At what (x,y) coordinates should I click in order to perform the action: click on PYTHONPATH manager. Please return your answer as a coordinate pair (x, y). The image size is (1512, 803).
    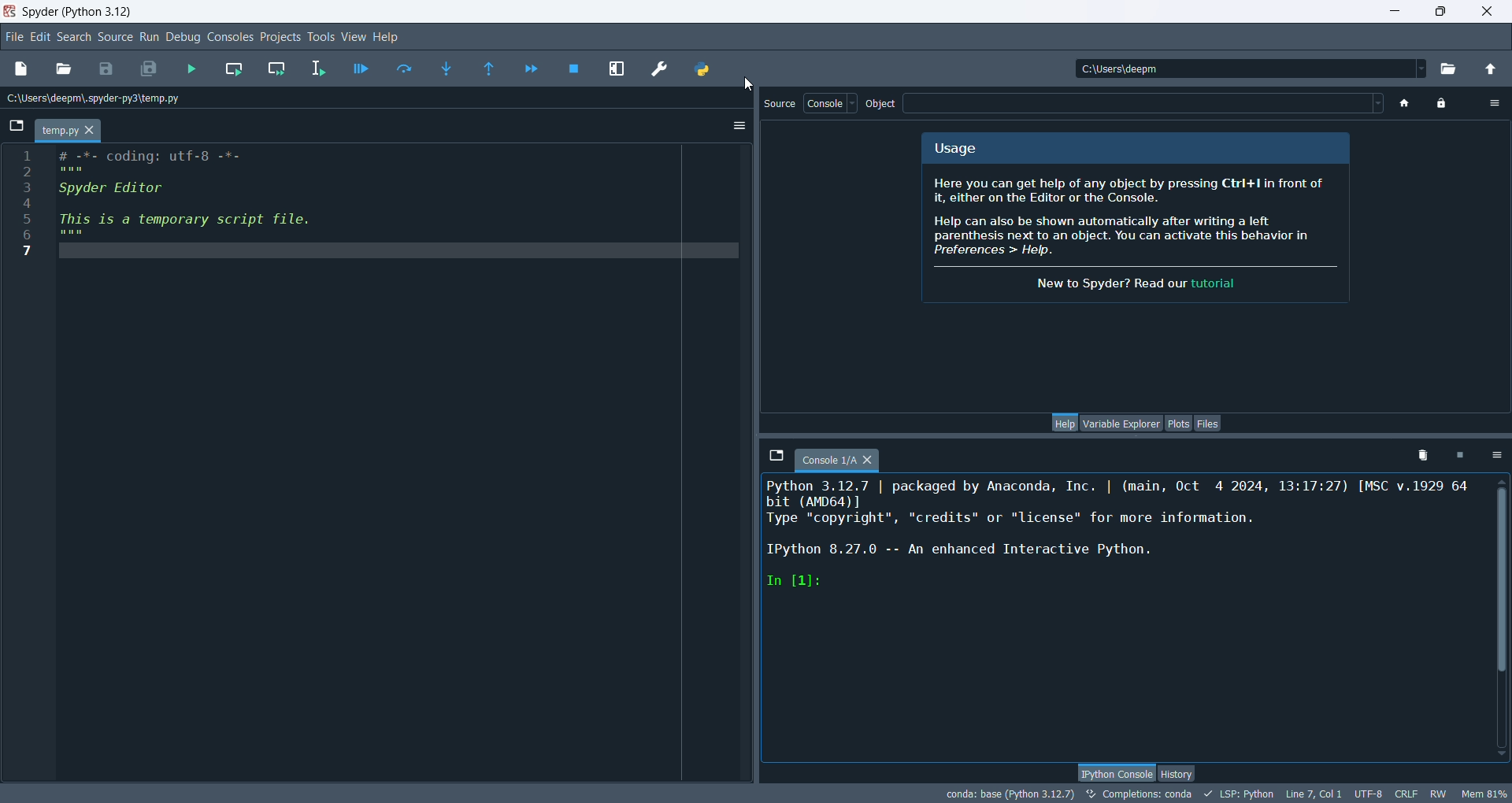
    Looking at the image, I should click on (702, 71).